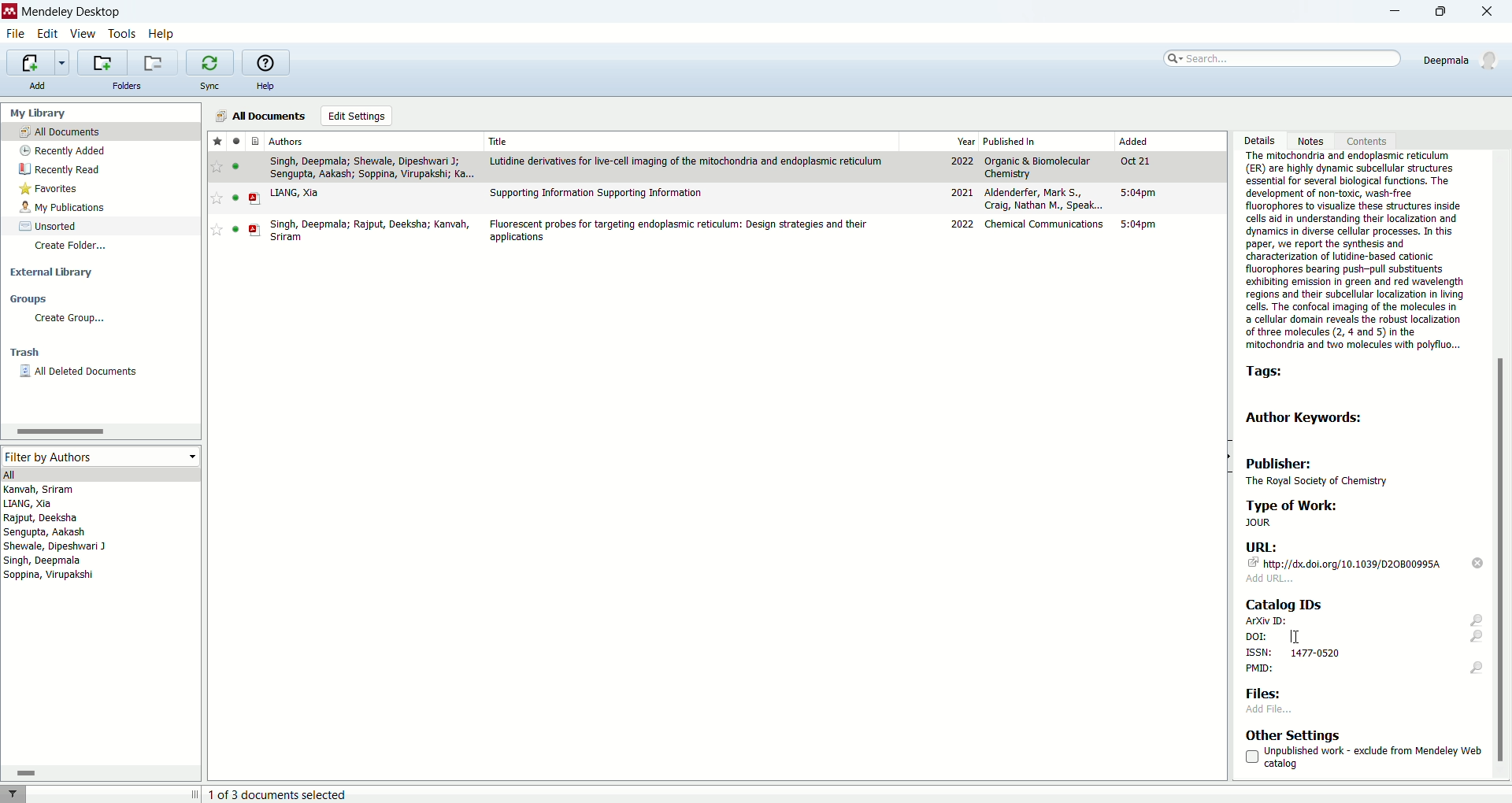 The width and height of the screenshot is (1512, 803). Describe the element at coordinates (372, 168) in the screenshot. I see `singh, deepmala; shewale, dipeshwari J; sengupta, aakash; soppina, virupakshi; ka` at that location.